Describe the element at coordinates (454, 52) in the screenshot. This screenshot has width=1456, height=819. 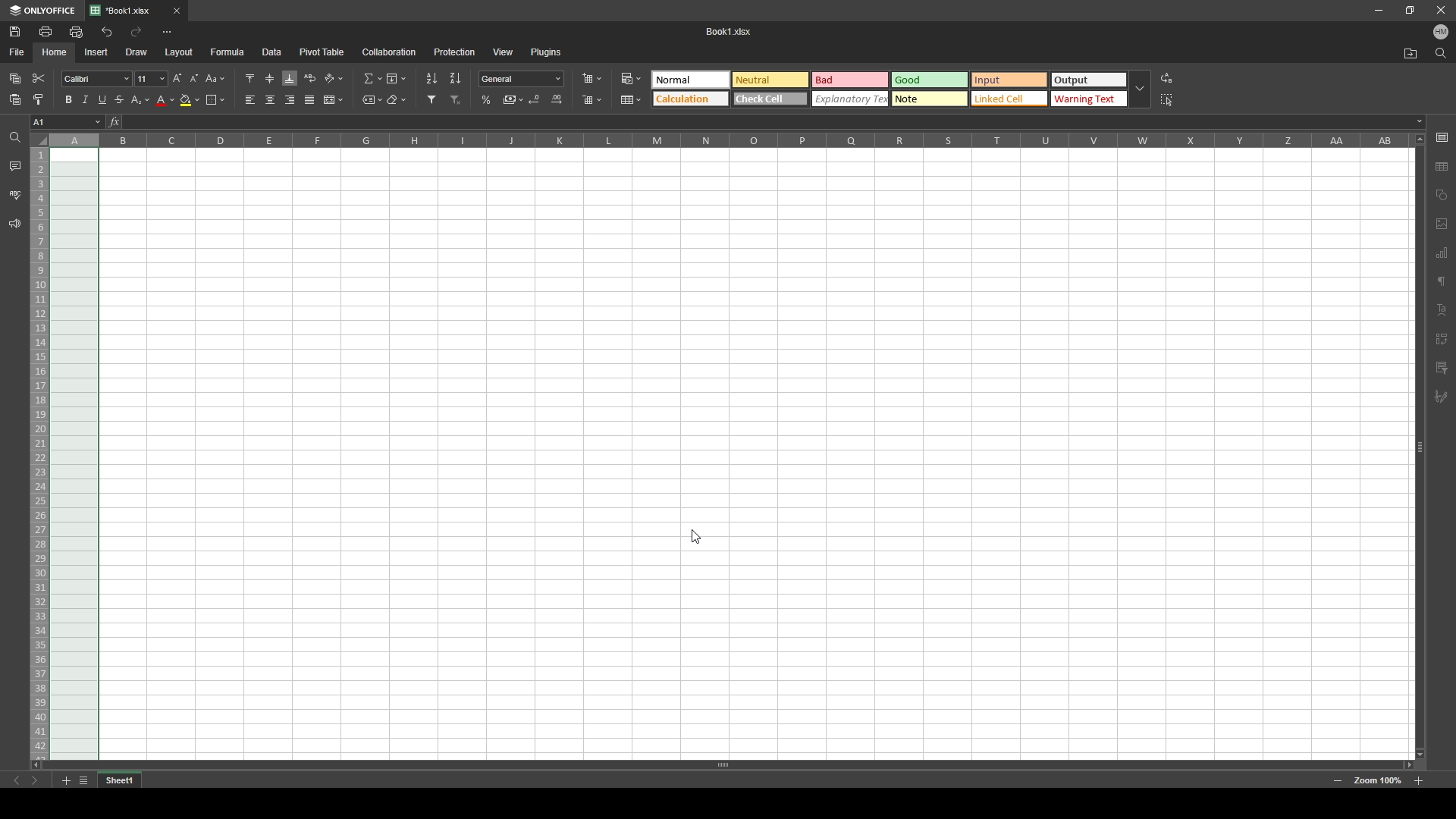
I see `protection` at that location.